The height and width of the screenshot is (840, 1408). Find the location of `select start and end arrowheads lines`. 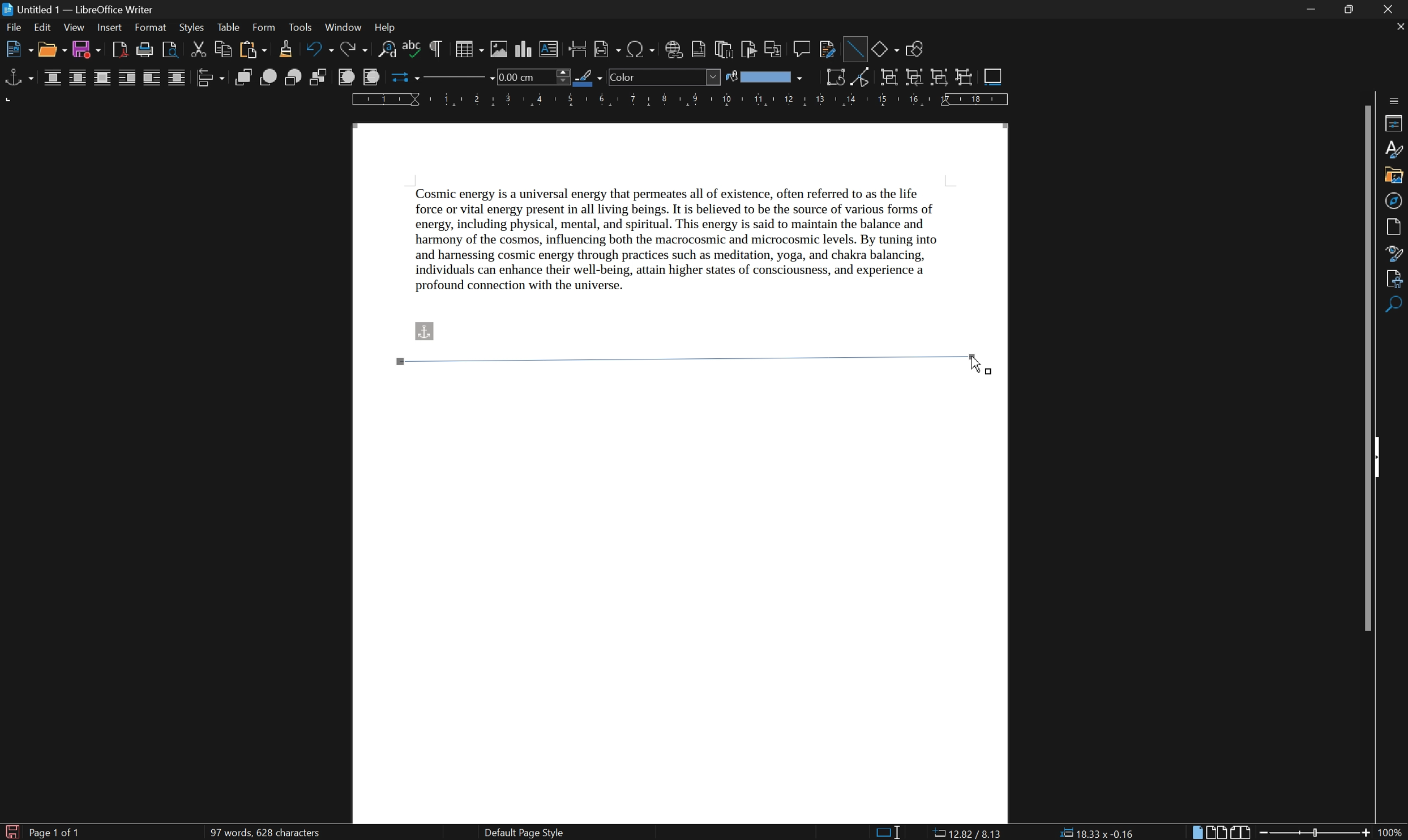

select start and end arrowheads lines is located at coordinates (401, 78).